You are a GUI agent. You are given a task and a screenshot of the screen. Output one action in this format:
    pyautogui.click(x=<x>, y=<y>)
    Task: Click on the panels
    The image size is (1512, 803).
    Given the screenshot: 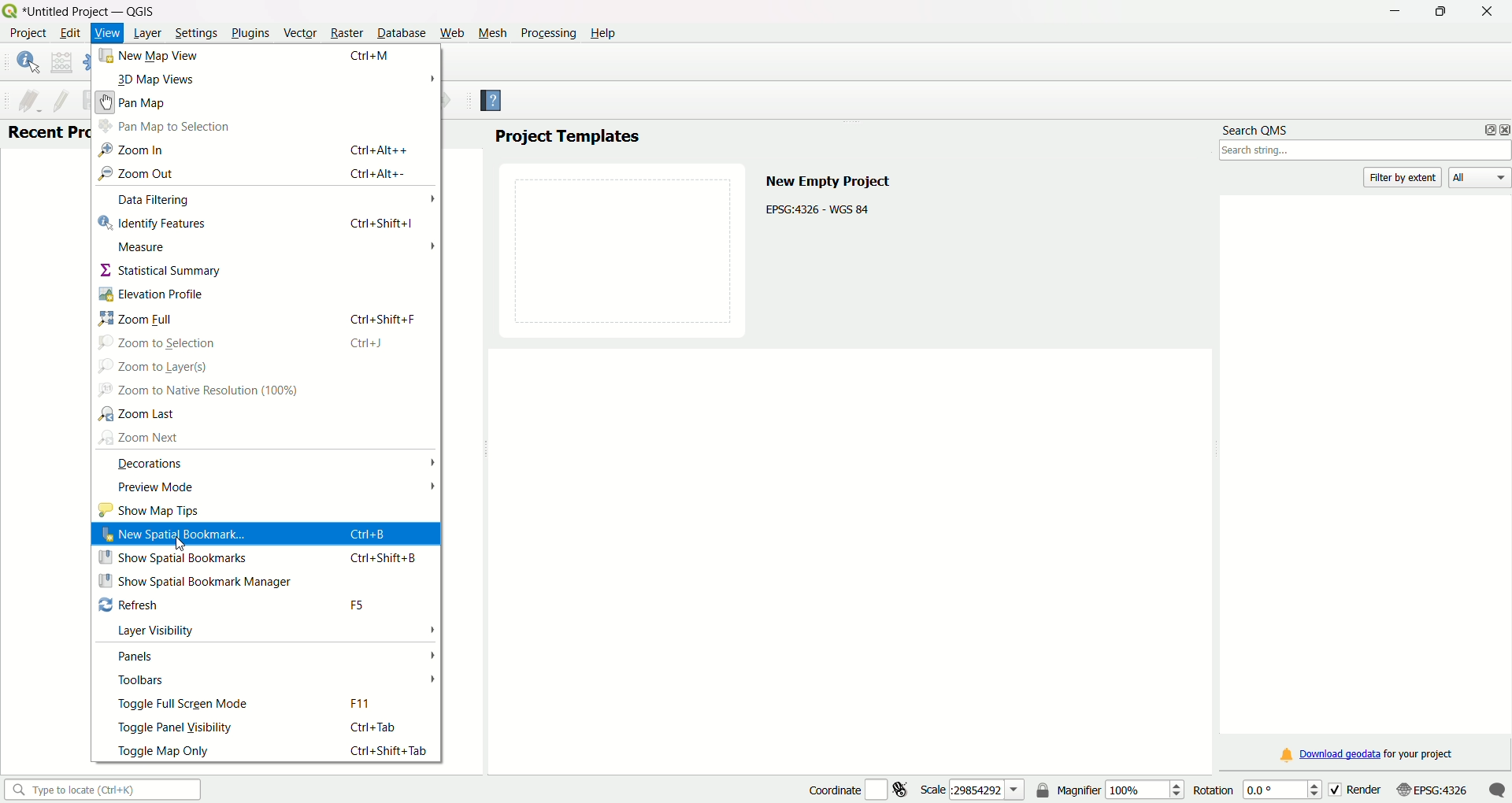 What is the action you would take?
    pyautogui.click(x=139, y=654)
    